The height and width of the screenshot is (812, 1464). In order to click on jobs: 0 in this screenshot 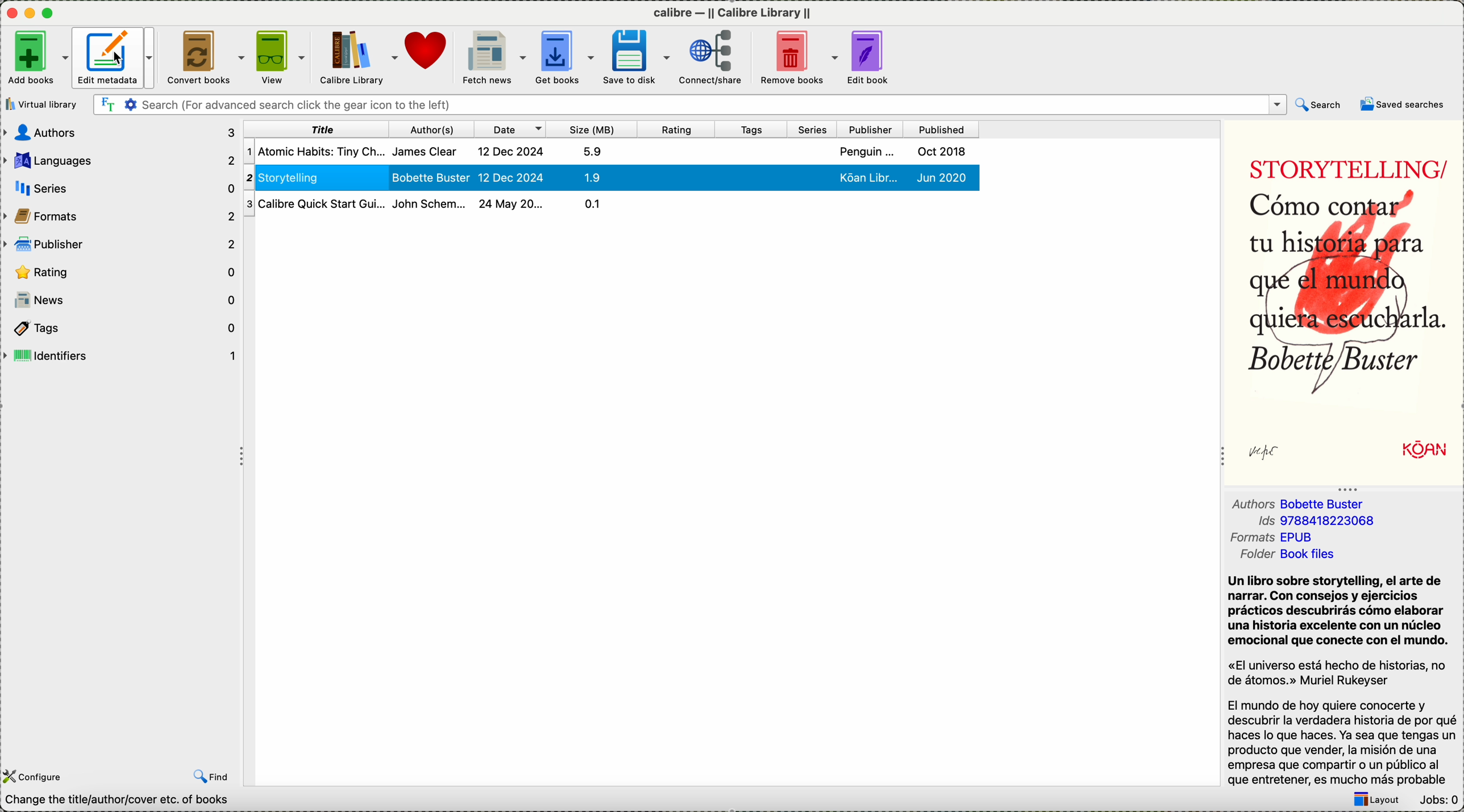, I will do `click(1437, 799)`.